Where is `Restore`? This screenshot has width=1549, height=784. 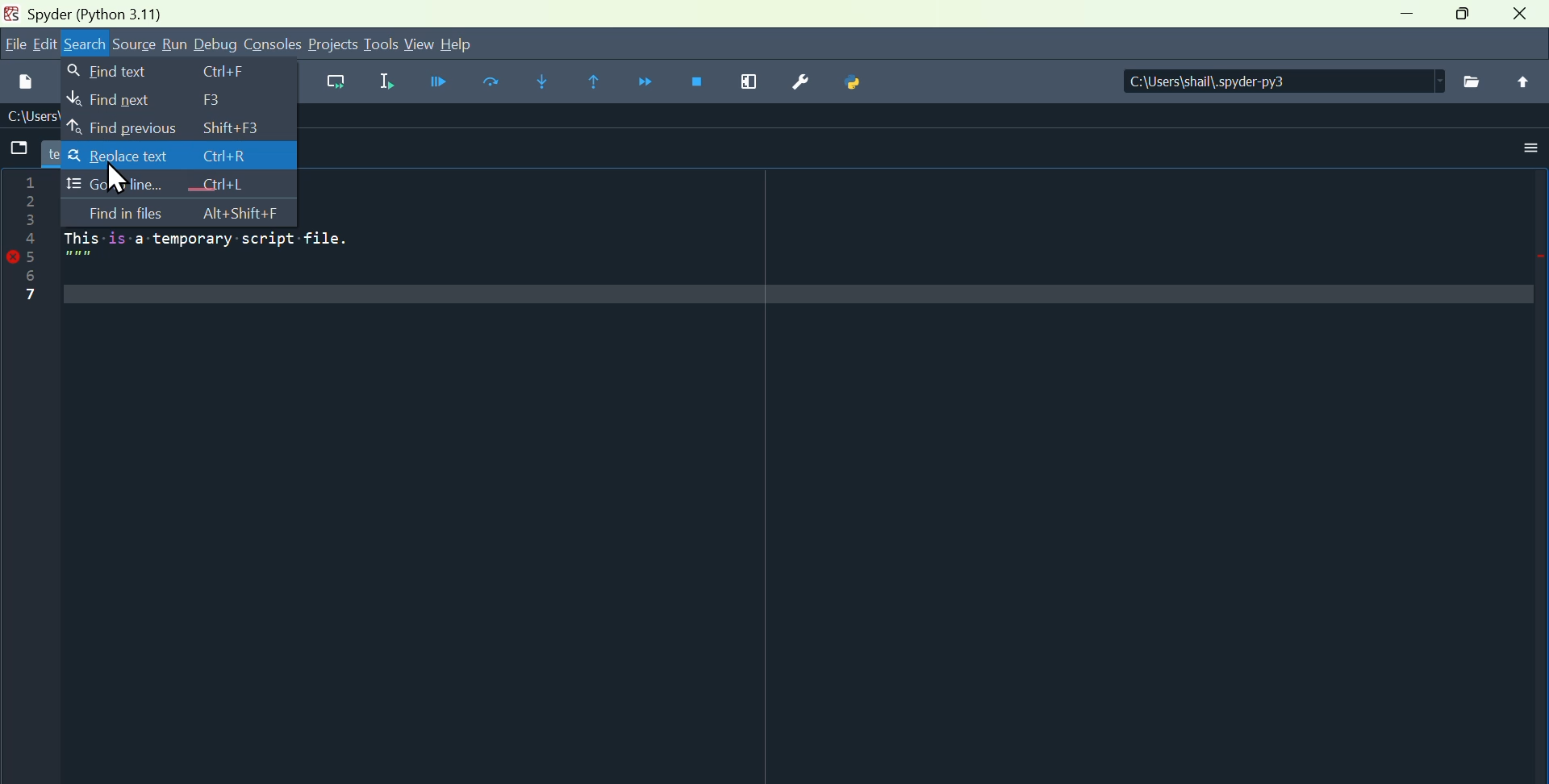 Restore is located at coordinates (1470, 15).